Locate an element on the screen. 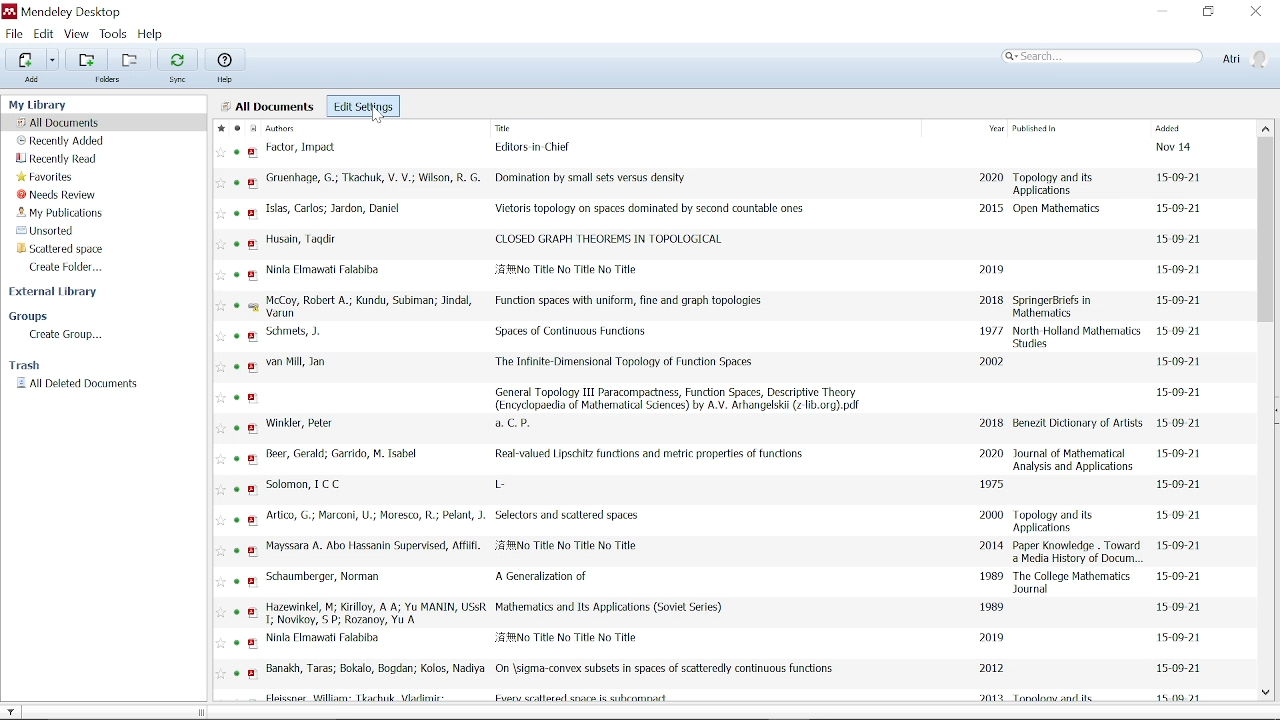 The image size is (1280, 720). Favorites is located at coordinates (46, 176).